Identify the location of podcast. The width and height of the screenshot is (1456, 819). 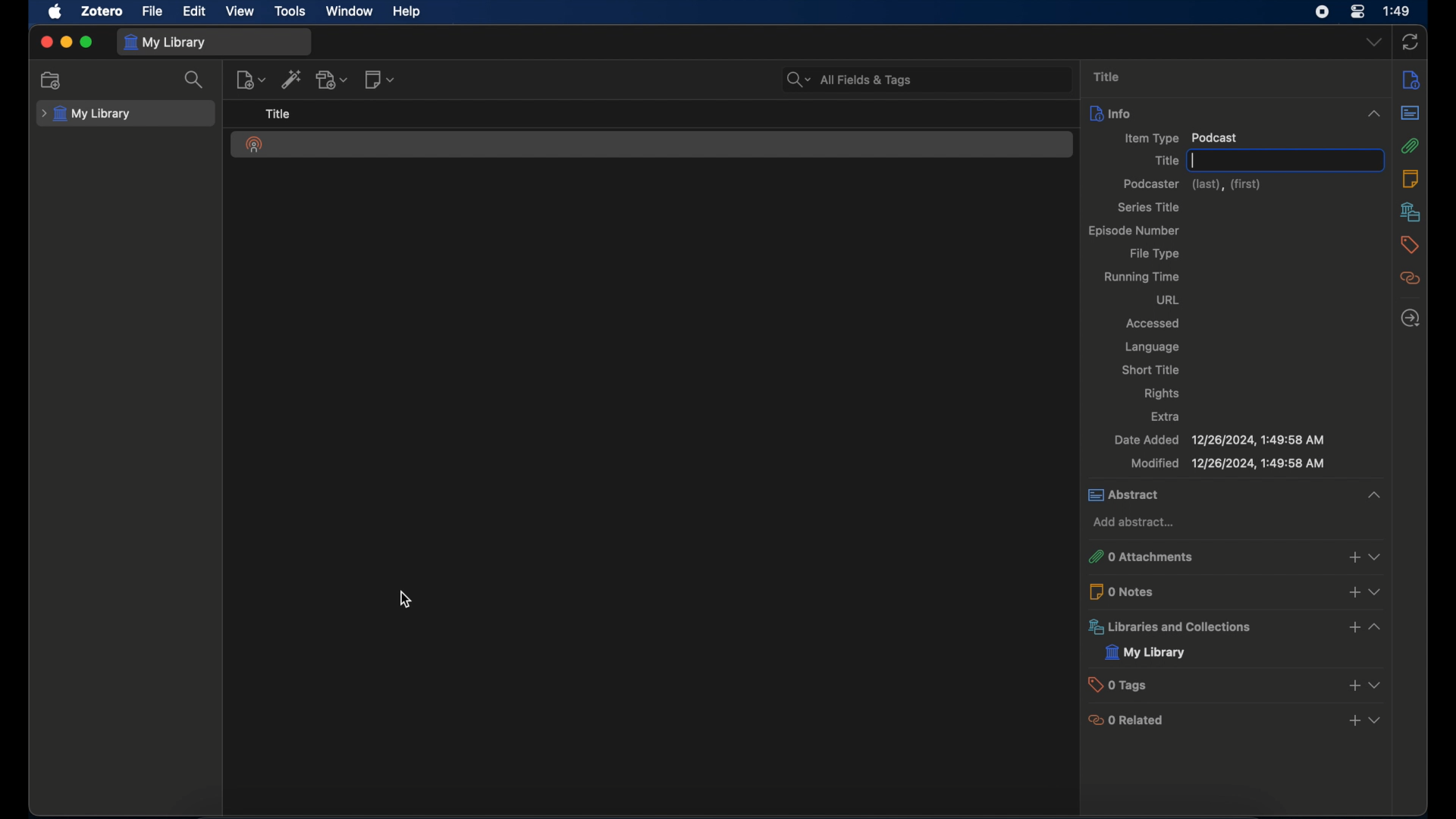
(255, 145).